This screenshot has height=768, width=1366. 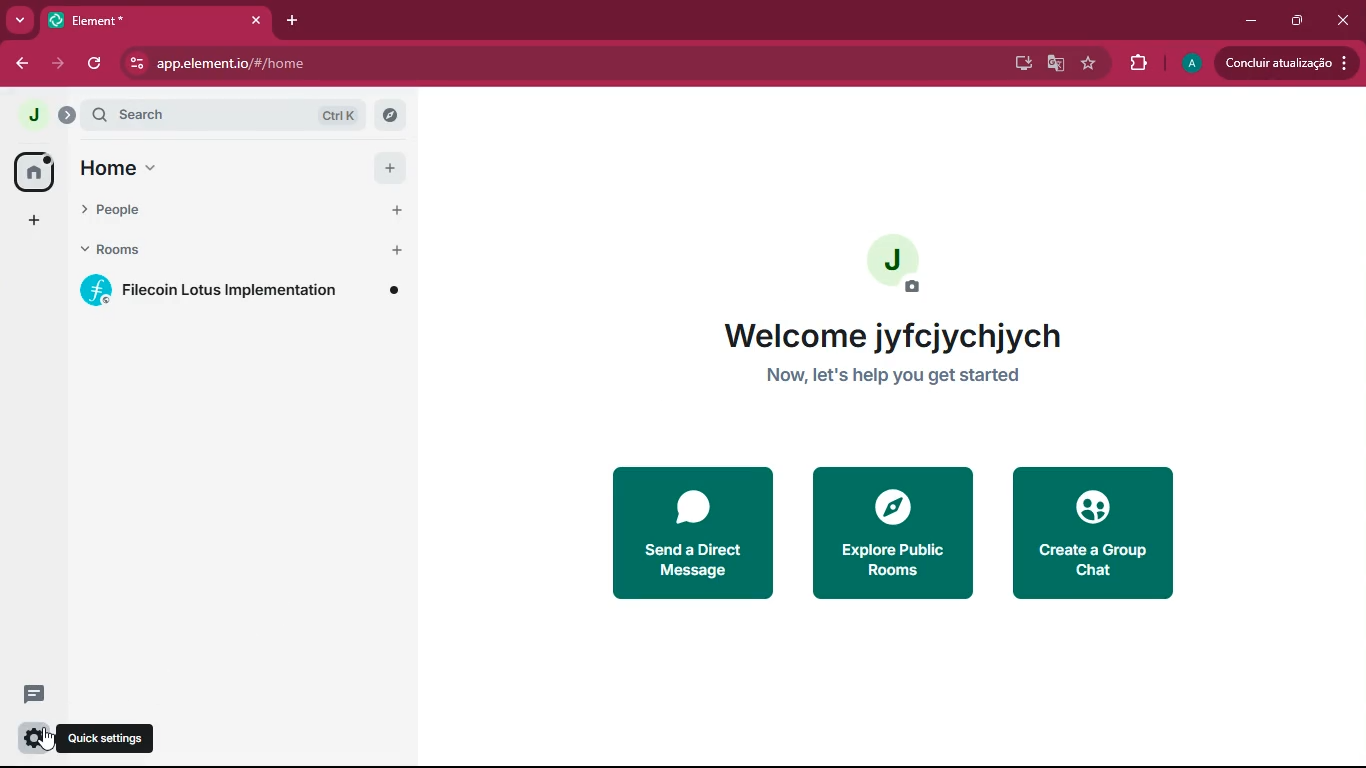 What do you see at coordinates (296, 21) in the screenshot?
I see `add tab` at bounding box center [296, 21].